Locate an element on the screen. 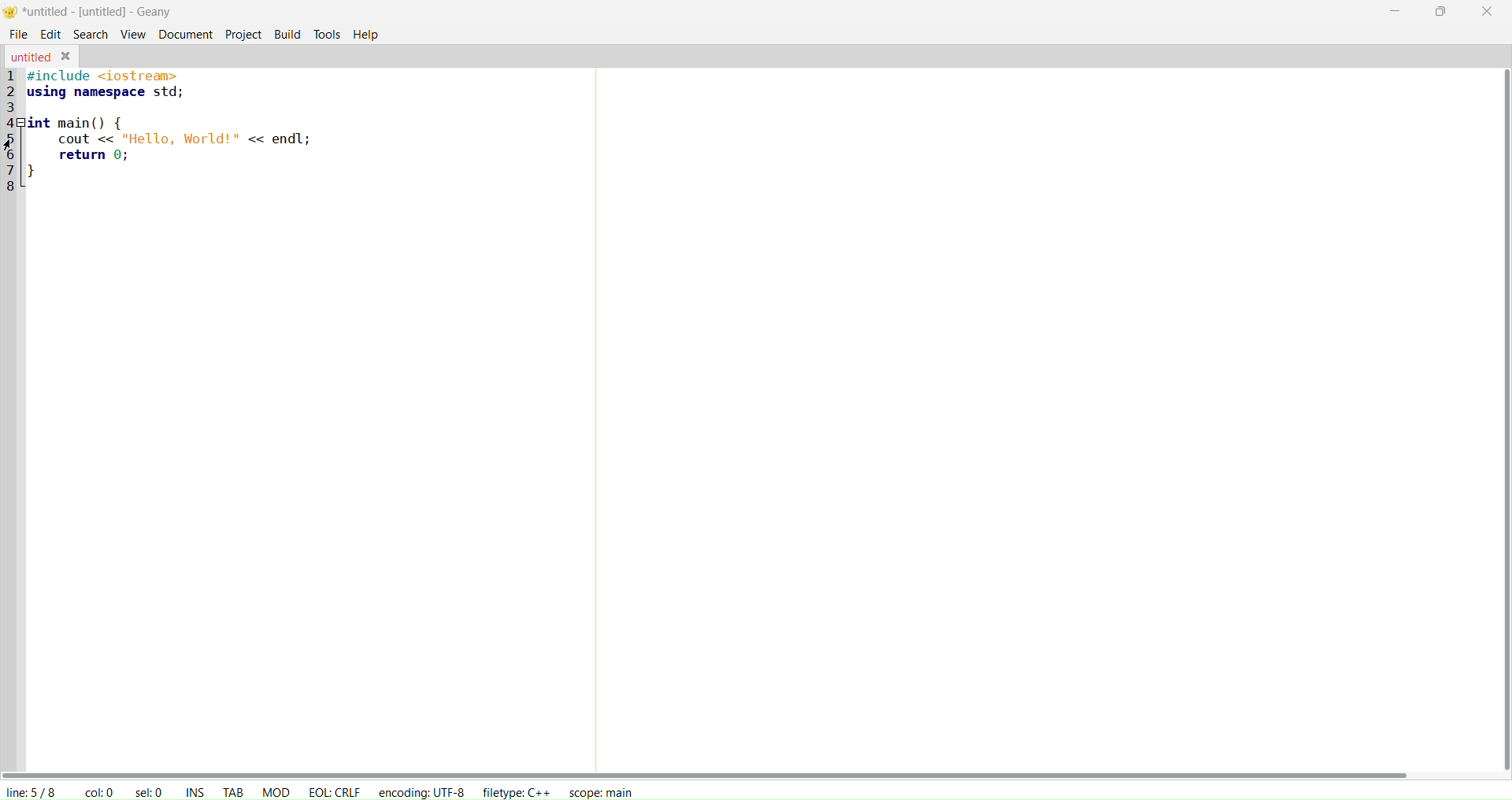 This screenshot has height=800, width=1512. sel: 0 is located at coordinates (147, 792).